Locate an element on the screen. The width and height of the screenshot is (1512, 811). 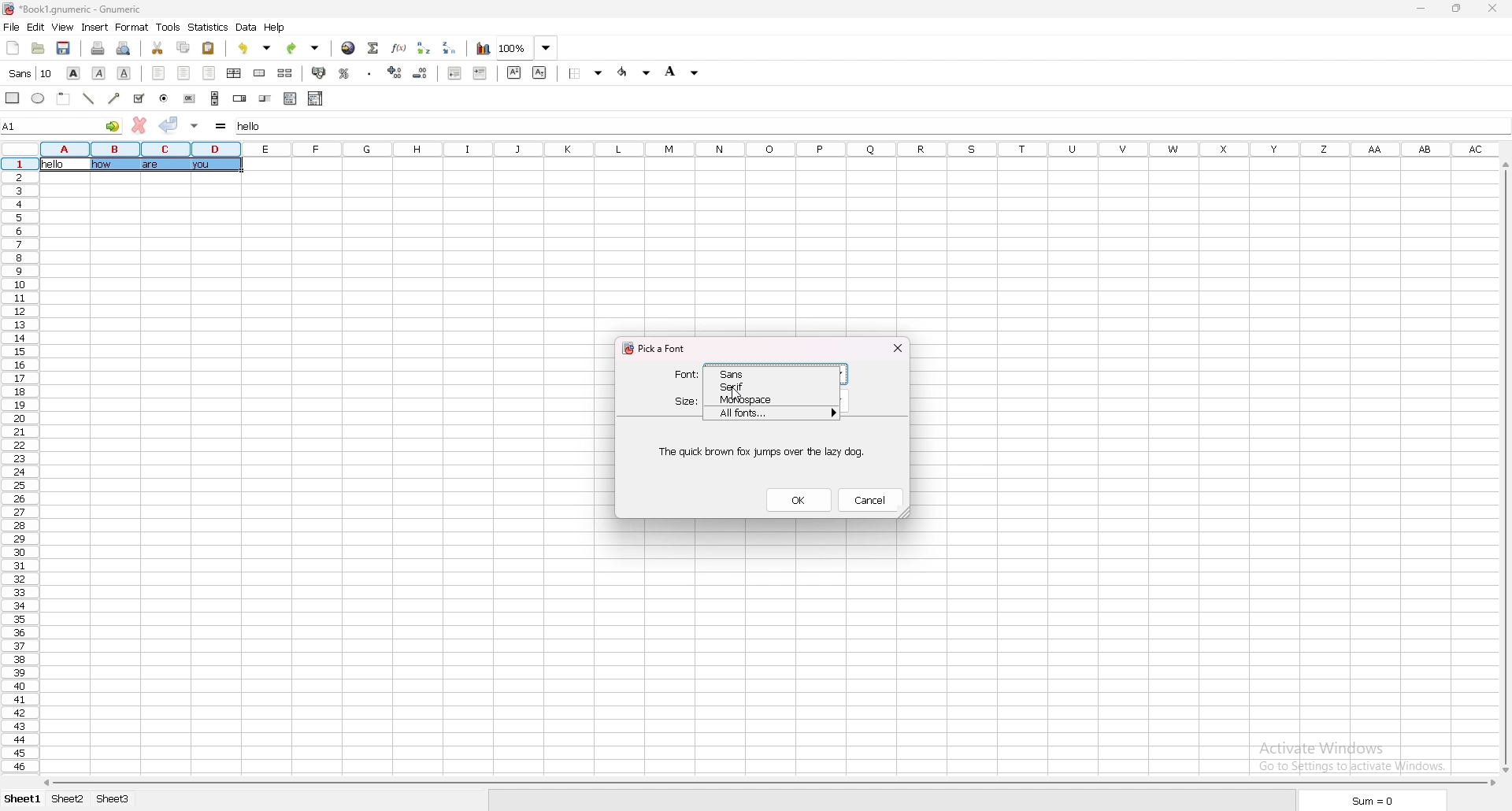
selected cell is located at coordinates (61, 125).